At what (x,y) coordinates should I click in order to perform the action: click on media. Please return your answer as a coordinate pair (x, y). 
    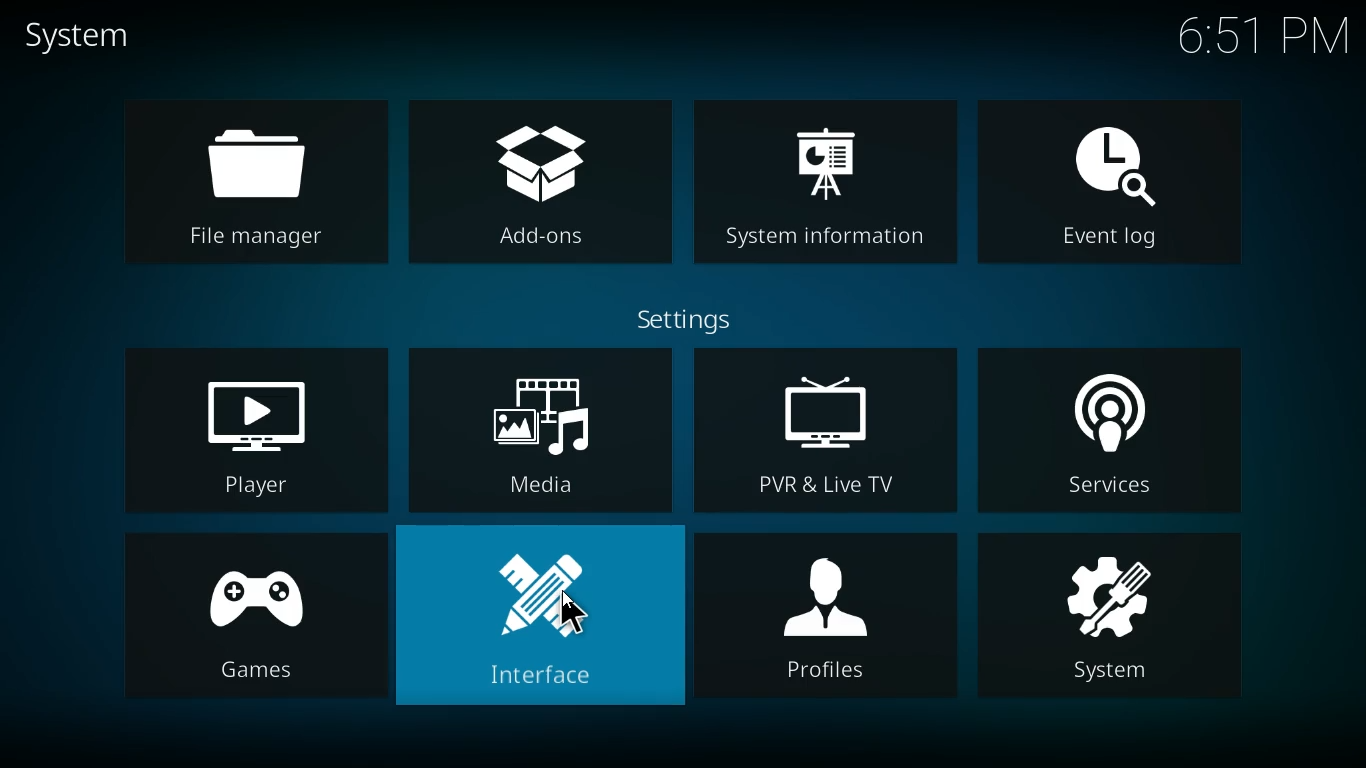
    Looking at the image, I should click on (540, 429).